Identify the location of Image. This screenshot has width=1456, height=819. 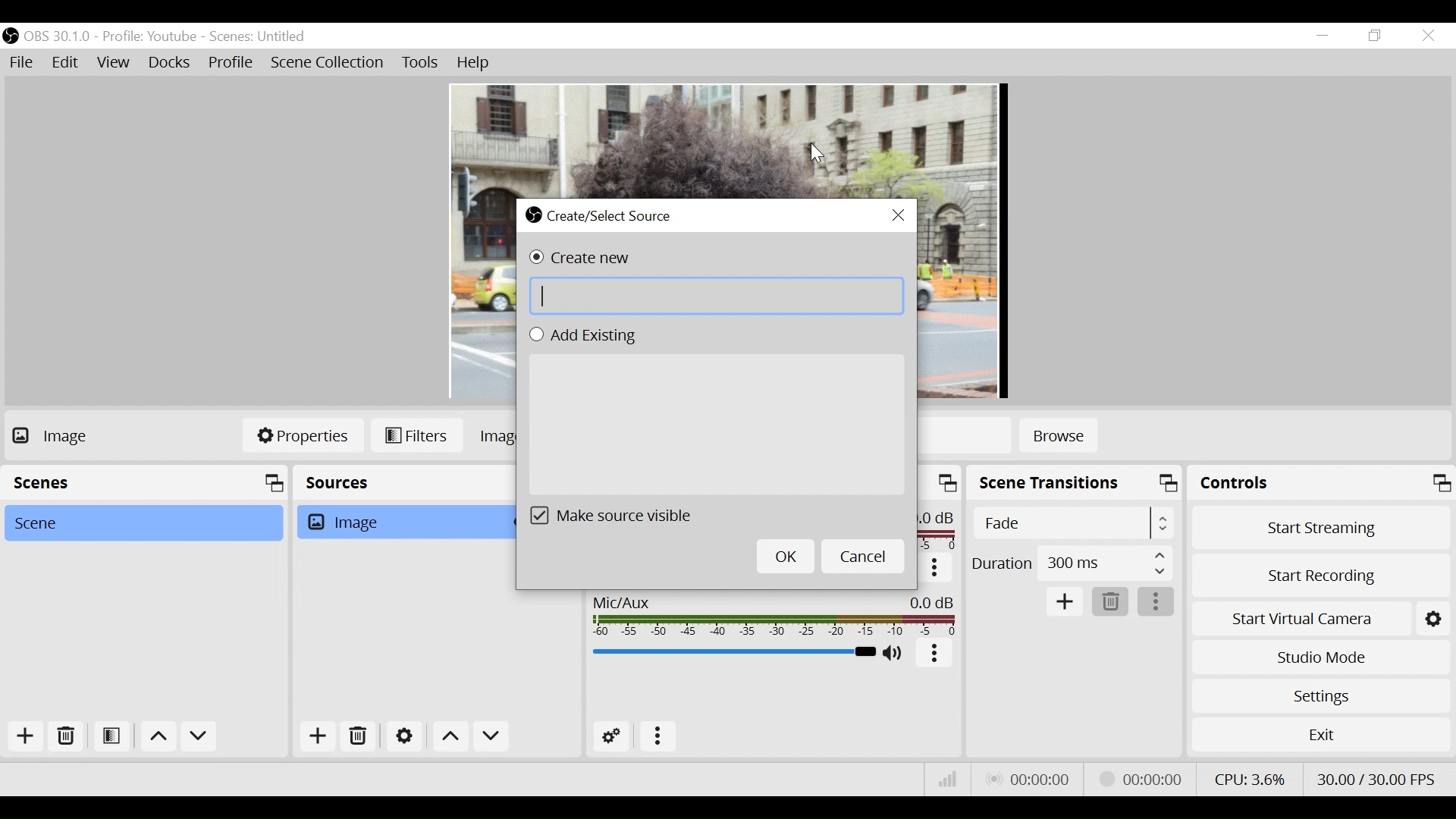
(403, 522).